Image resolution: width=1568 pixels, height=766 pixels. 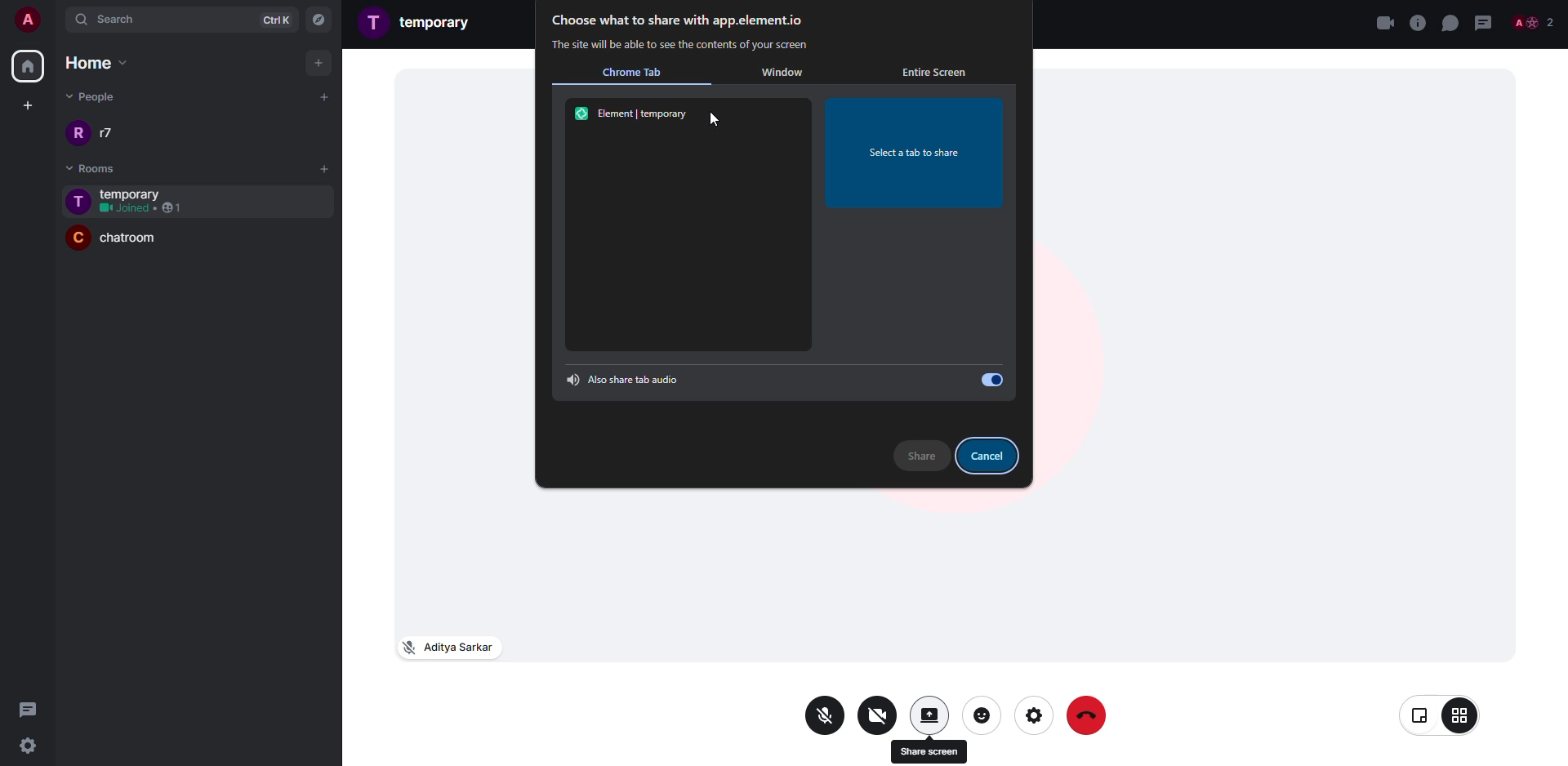 What do you see at coordinates (631, 72) in the screenshot?
I see `chrome tab` at bounding box center [631, 72].